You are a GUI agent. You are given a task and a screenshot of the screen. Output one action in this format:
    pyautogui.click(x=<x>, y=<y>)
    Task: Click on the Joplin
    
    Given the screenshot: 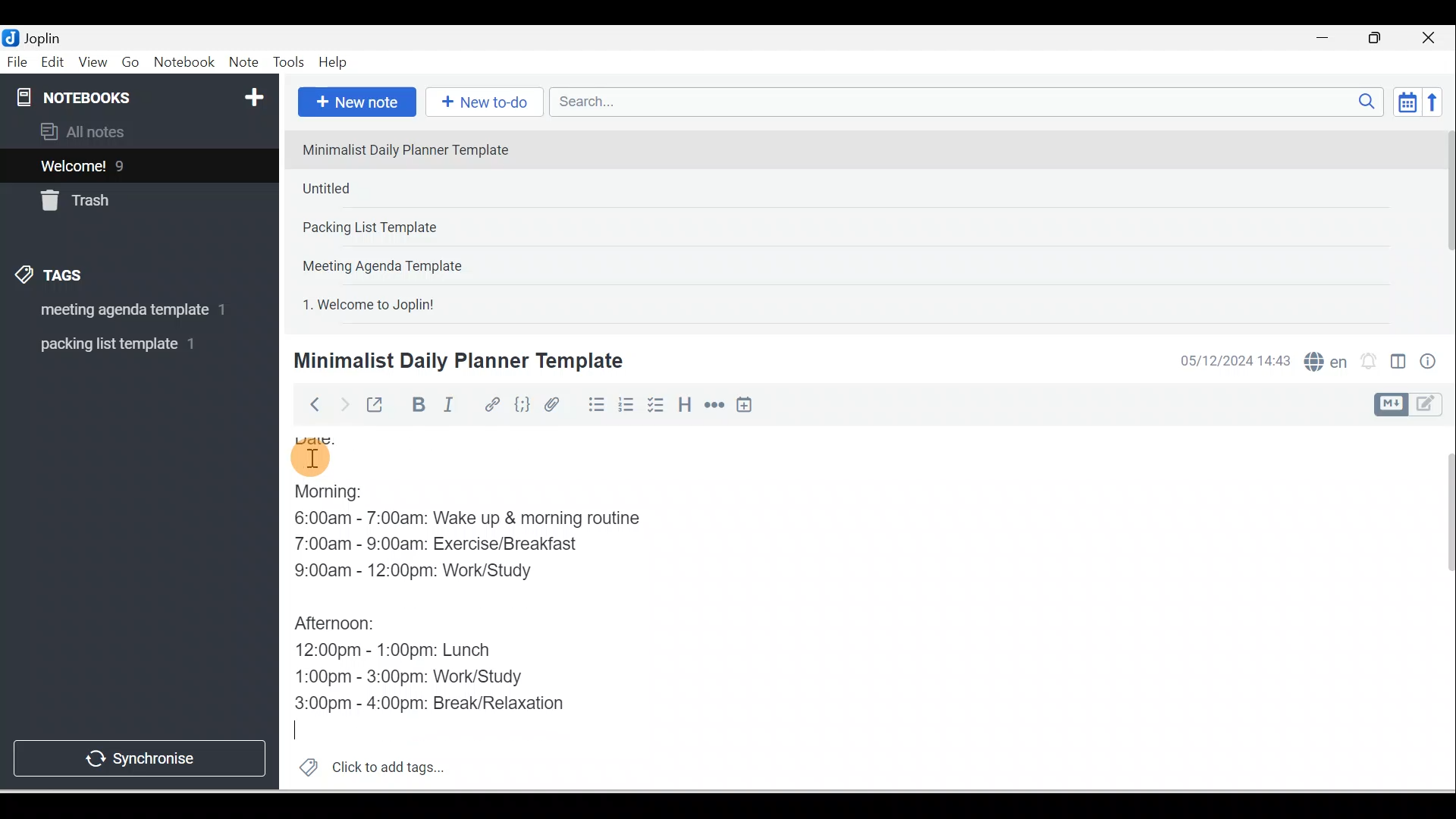 What is the action you would take?
    pyautogui.click(x=46, y=36)
    